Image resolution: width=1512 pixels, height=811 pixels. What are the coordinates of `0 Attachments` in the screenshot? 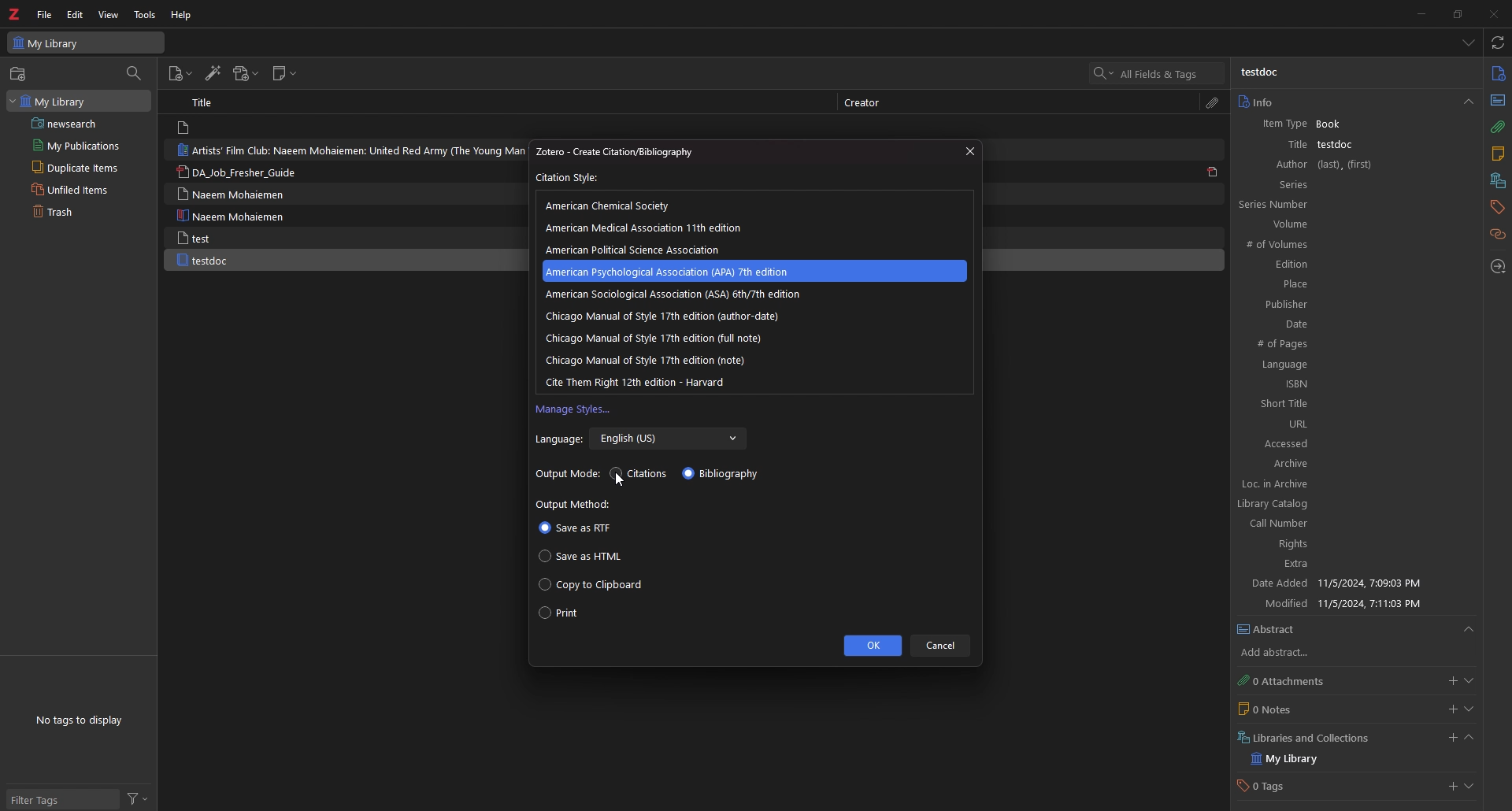 It's located at (1296, 680).